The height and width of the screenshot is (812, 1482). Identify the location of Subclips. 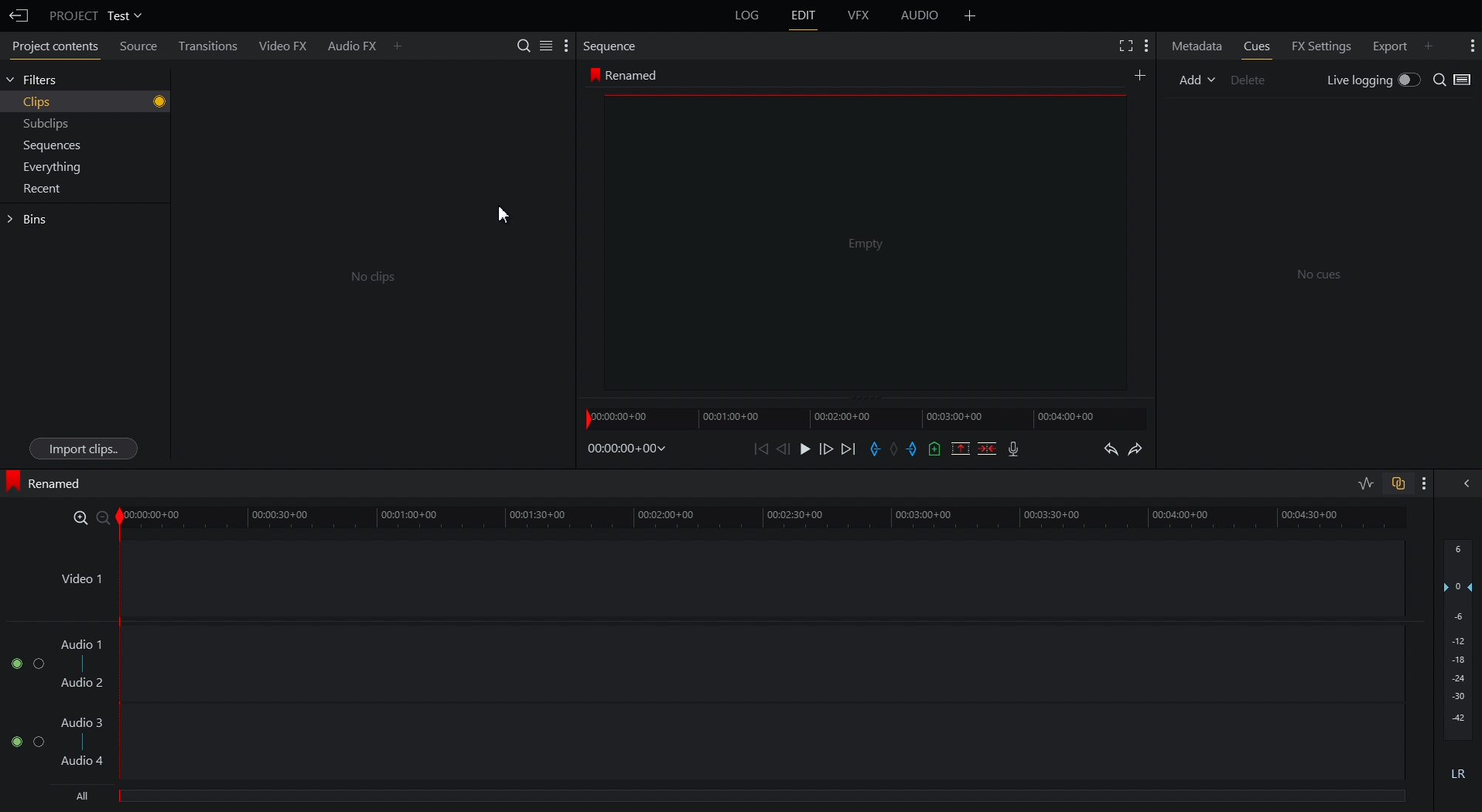
(43, 123).